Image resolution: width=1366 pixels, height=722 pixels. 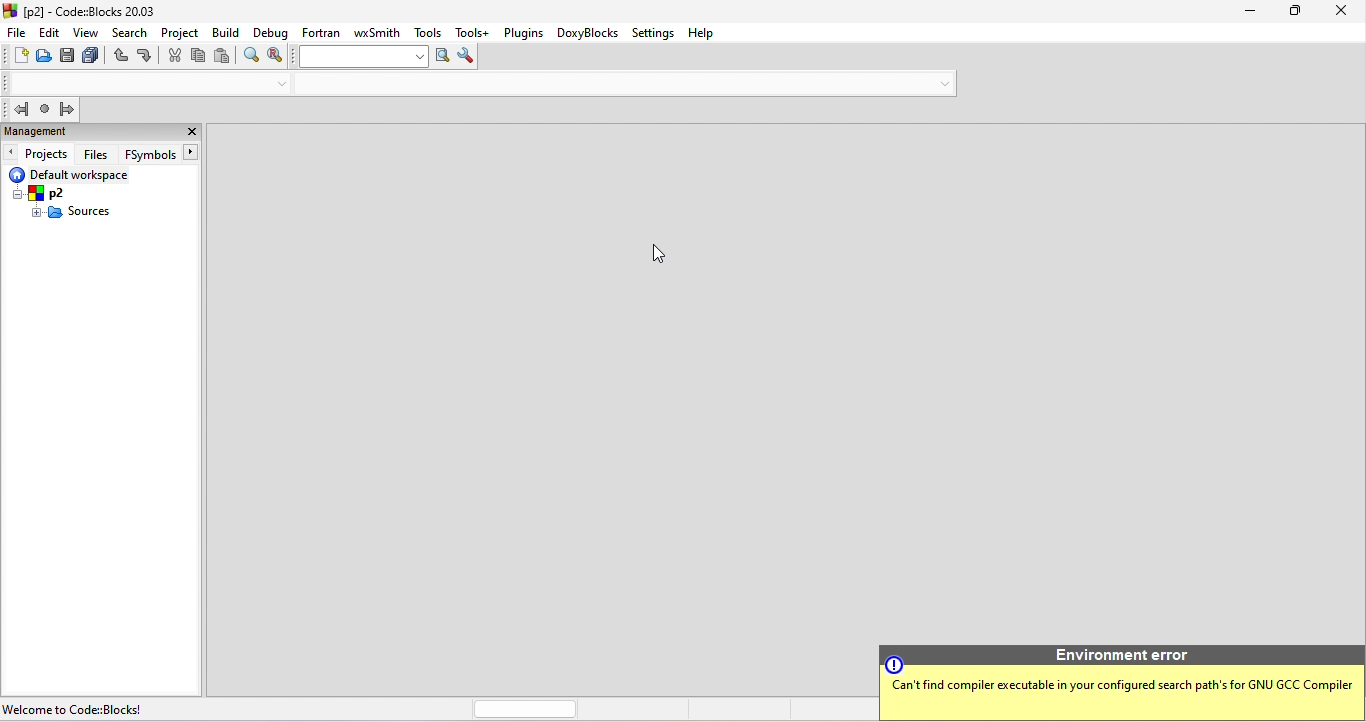 What do you see at coordinates (1338, 12) in the screenshot?
I see `close` at bounding box center [1338, 12].